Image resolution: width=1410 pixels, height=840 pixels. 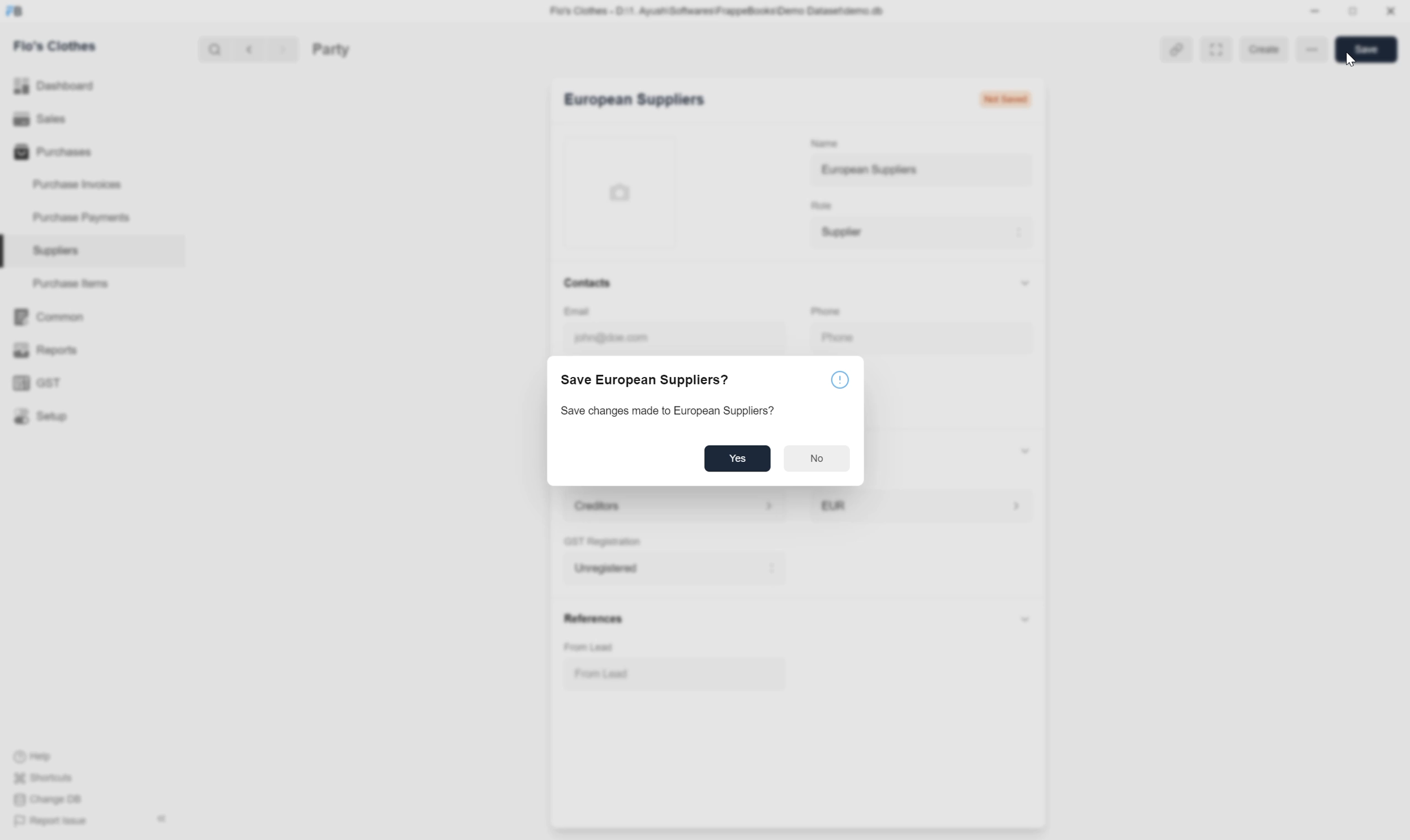 What do you see at coordinates (817, 204) in the screenshot?
I see `Role` at bounding box center [817, 204].